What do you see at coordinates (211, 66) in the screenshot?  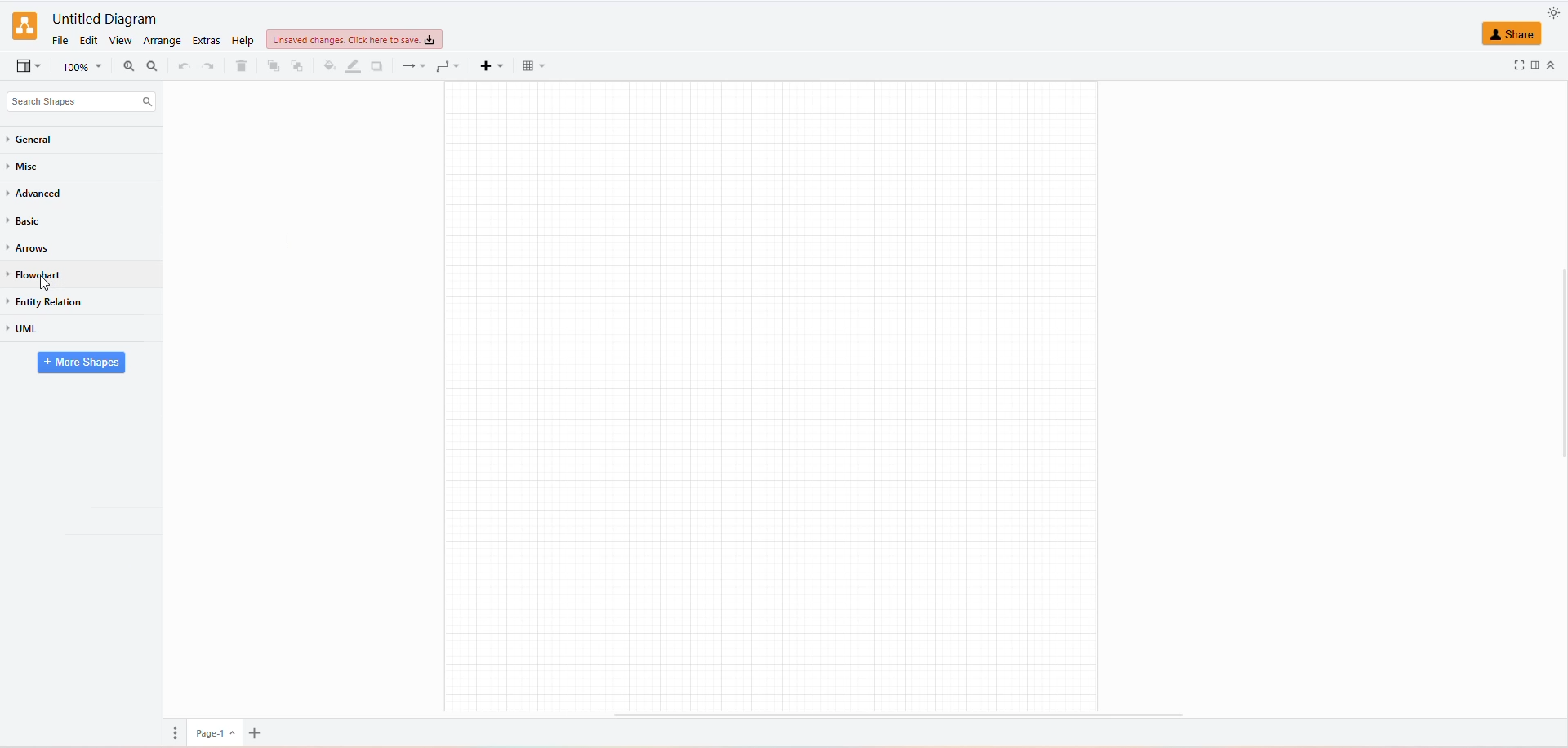 I see `UNDO` at bounding box center [211, 66].